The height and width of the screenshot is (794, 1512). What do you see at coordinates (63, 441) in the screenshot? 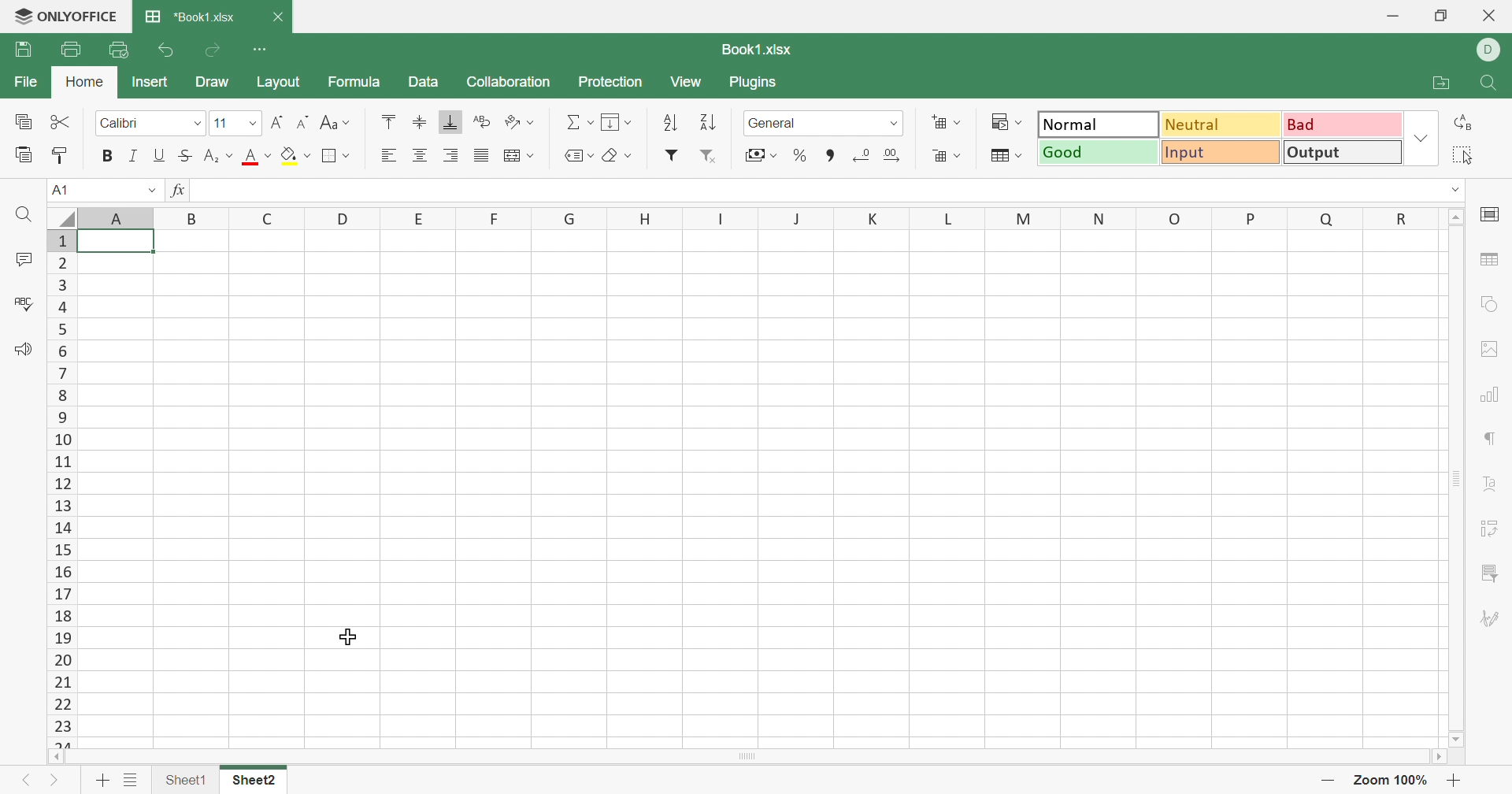
I see `10` at bounding box center [63, 441].